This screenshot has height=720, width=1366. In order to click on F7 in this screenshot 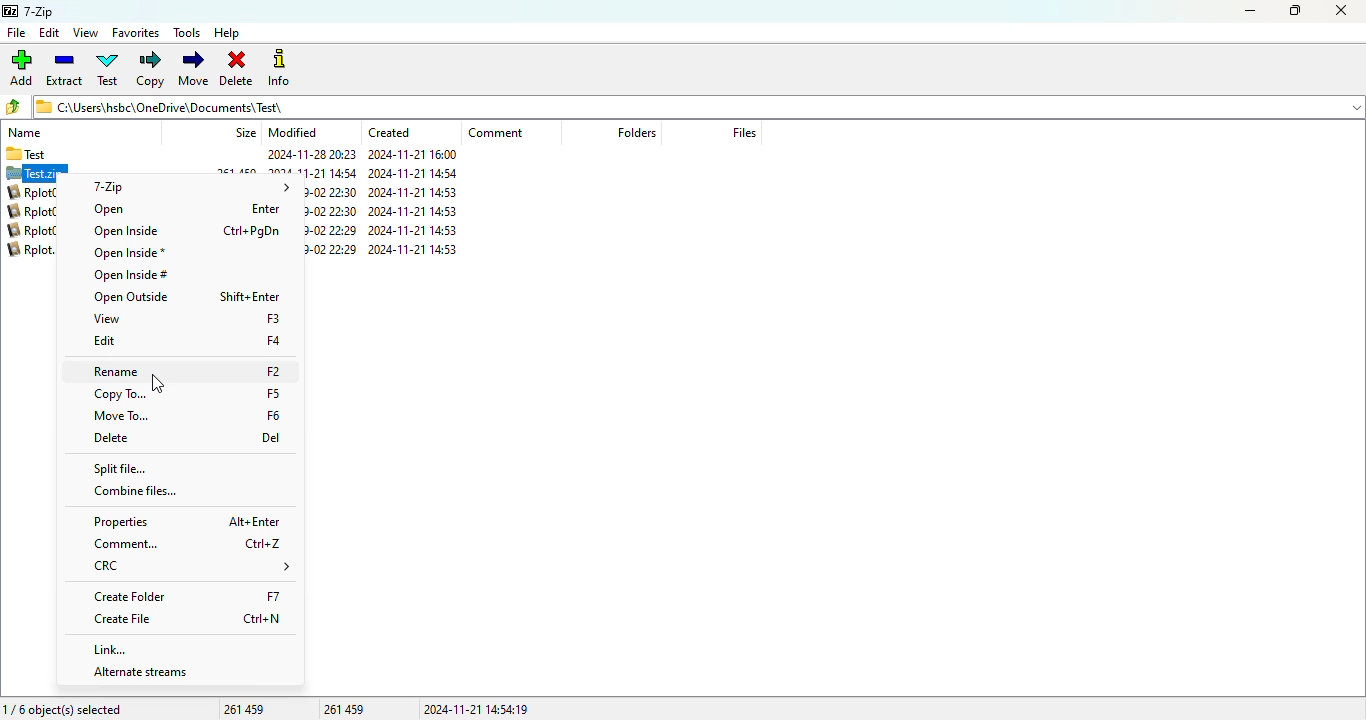, I will do `click(274, 597)`.